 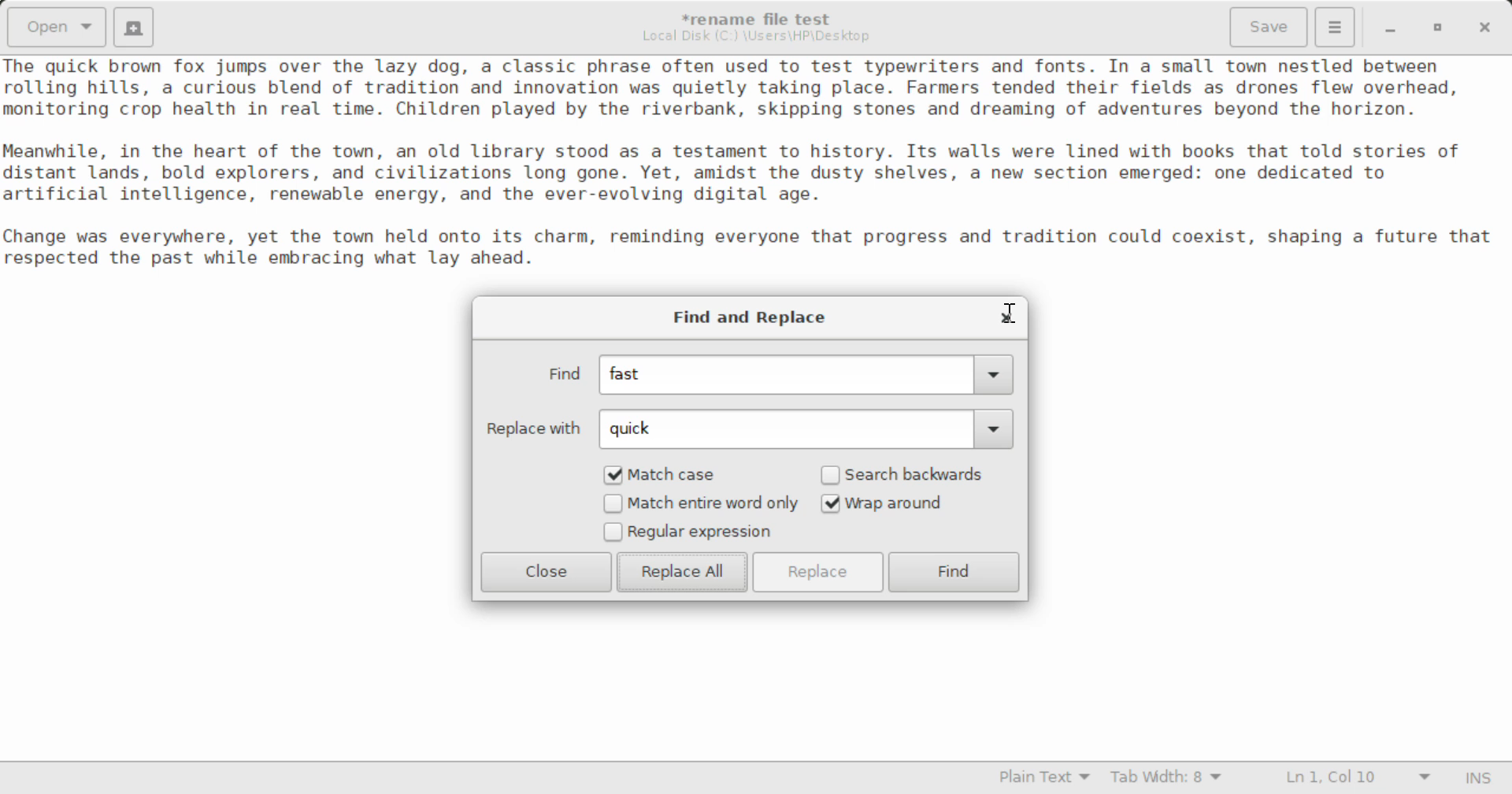 I want to click on Find, so click(x=955, y=572).